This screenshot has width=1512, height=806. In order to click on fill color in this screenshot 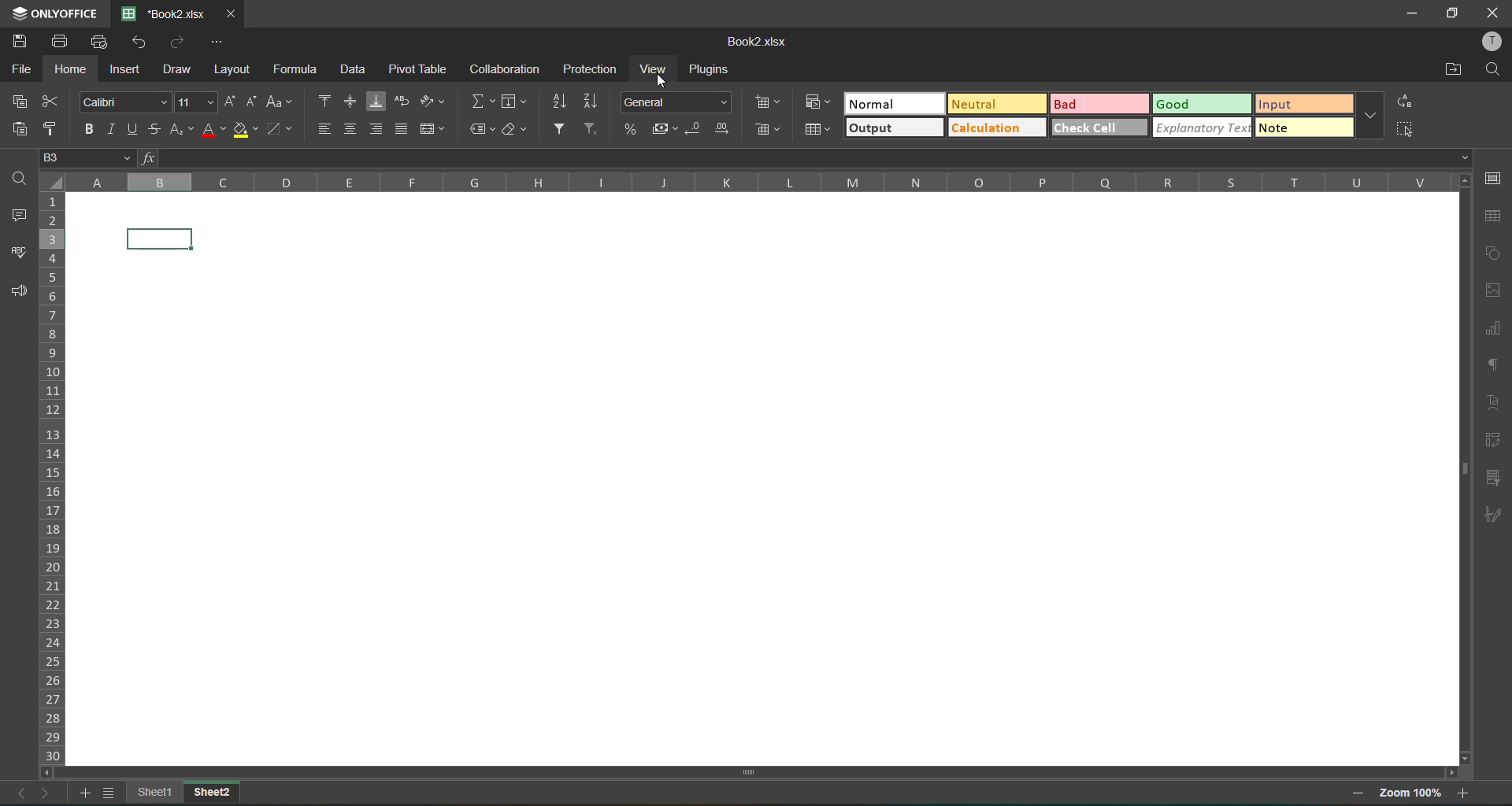, I will do `click(245, 133)`.